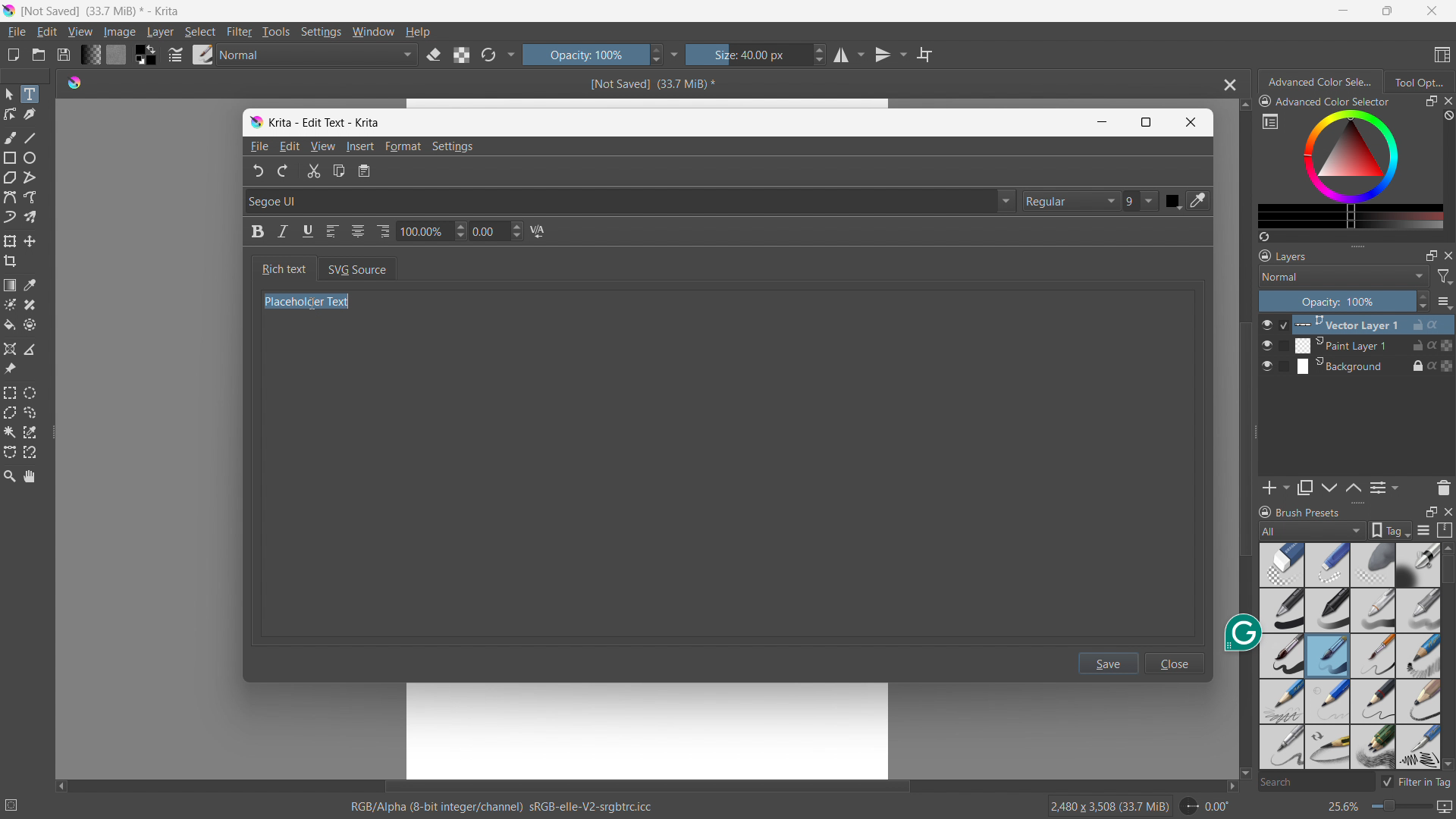 The image size is (1456, 819). Describe the element at coordinates (1391, 530) in the screenshot. I see `tags` at that location.